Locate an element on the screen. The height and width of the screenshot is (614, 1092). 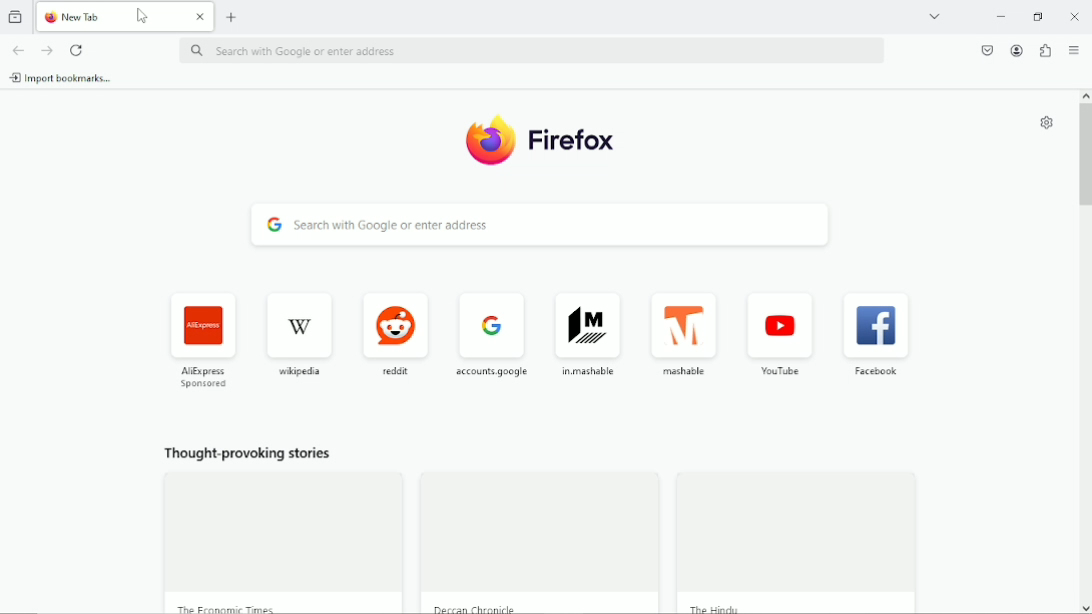
Deccan chronicle is located at coordinates (478, 608).